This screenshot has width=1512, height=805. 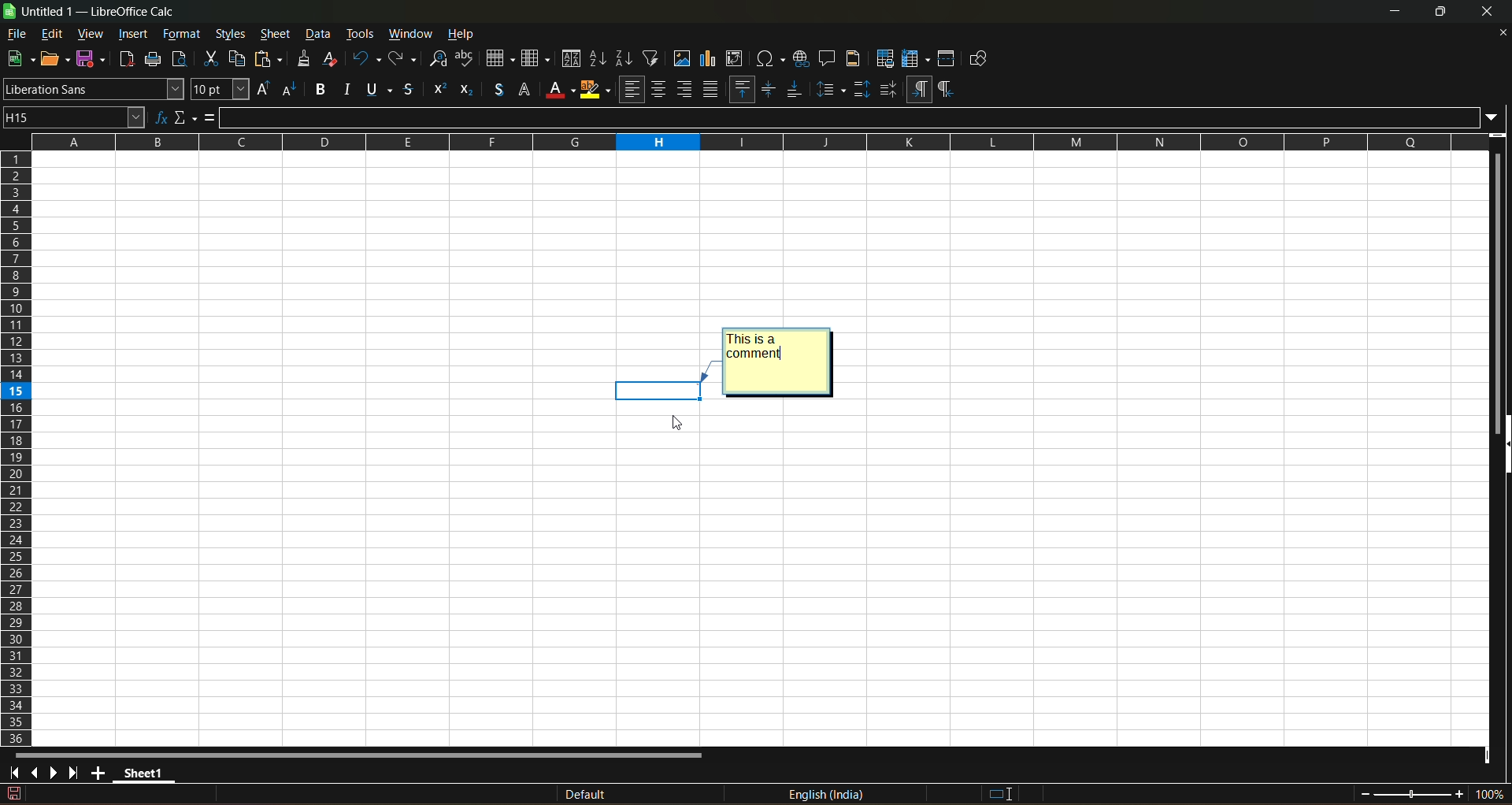 What do you see at coordinates (404, 60) in the screenshot?
I see `redo` at bounding box center [404, 60].